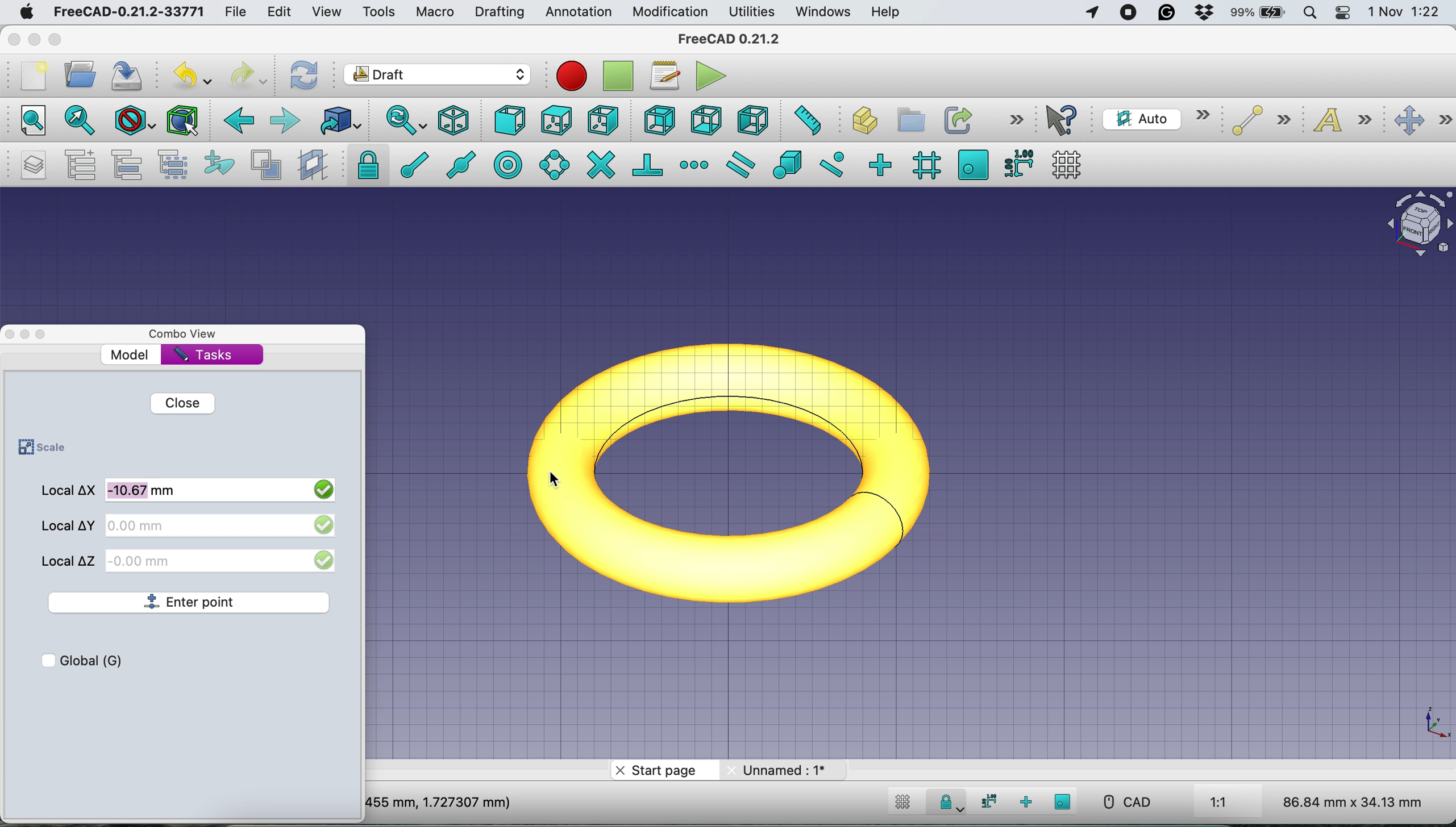  I want to click on FreeCAD-0.21.2-33771, so click(130, 11).